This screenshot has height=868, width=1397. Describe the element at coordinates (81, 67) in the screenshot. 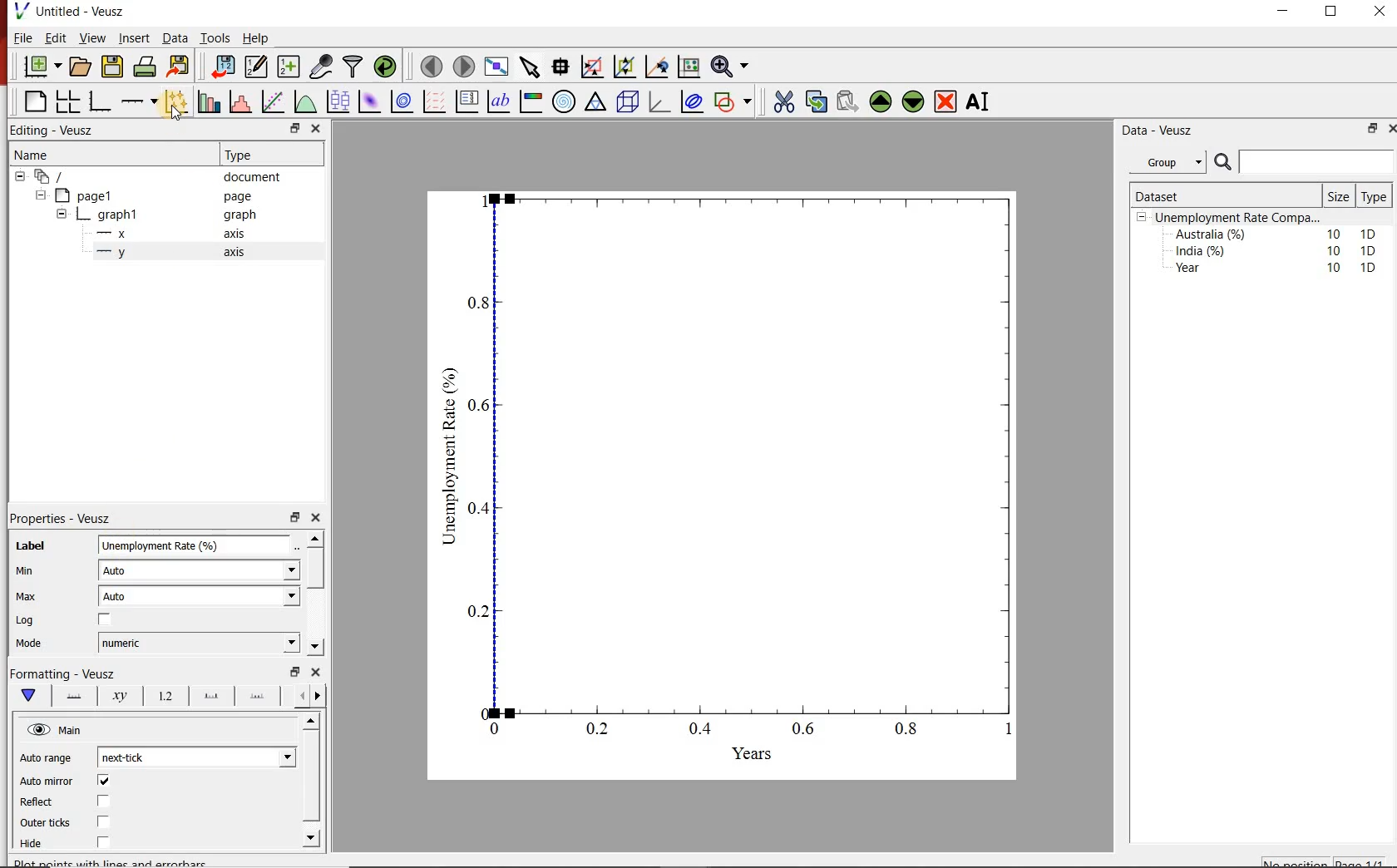

I see `open document` at that location.